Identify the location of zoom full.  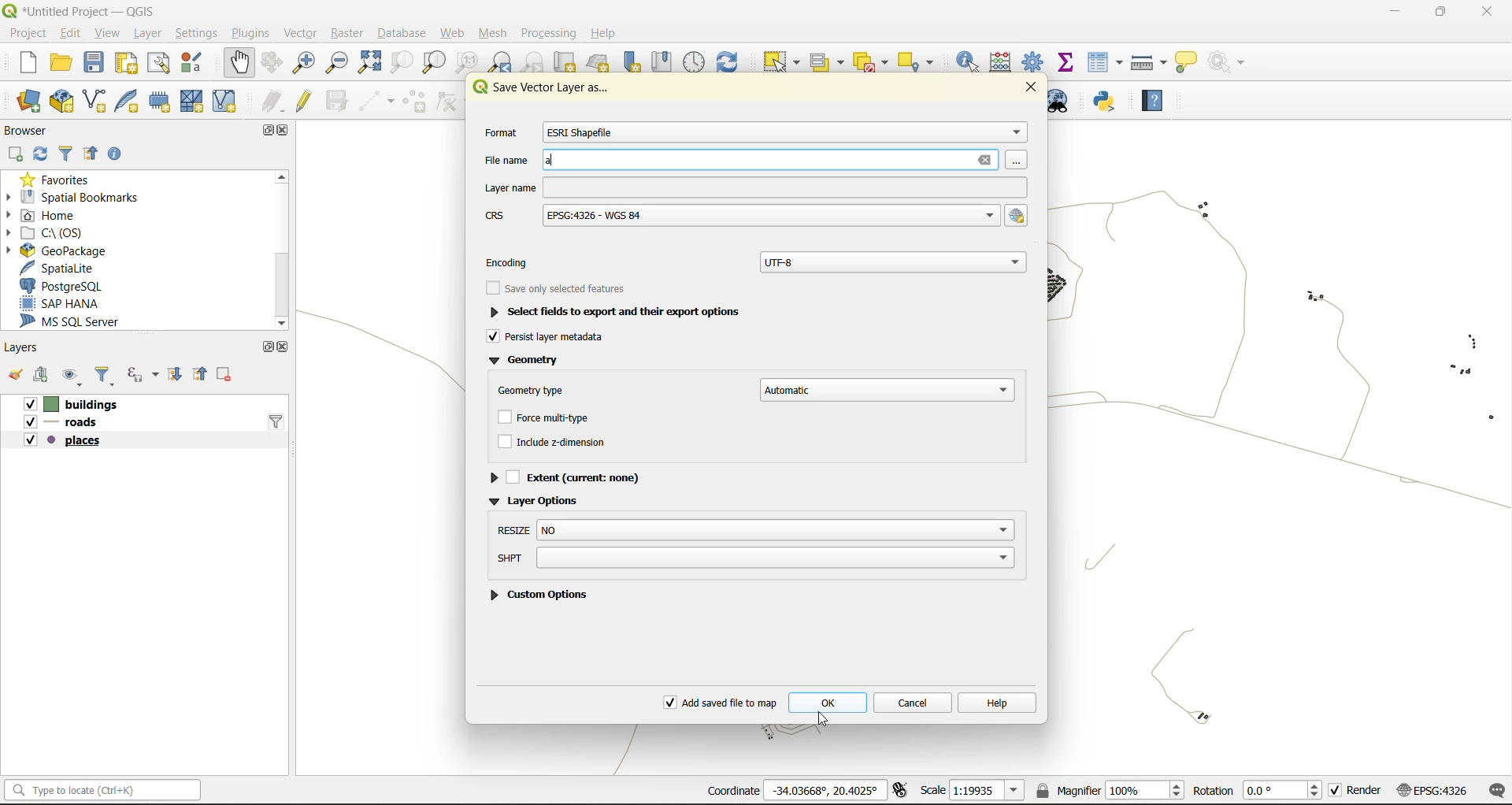
(374, 63).